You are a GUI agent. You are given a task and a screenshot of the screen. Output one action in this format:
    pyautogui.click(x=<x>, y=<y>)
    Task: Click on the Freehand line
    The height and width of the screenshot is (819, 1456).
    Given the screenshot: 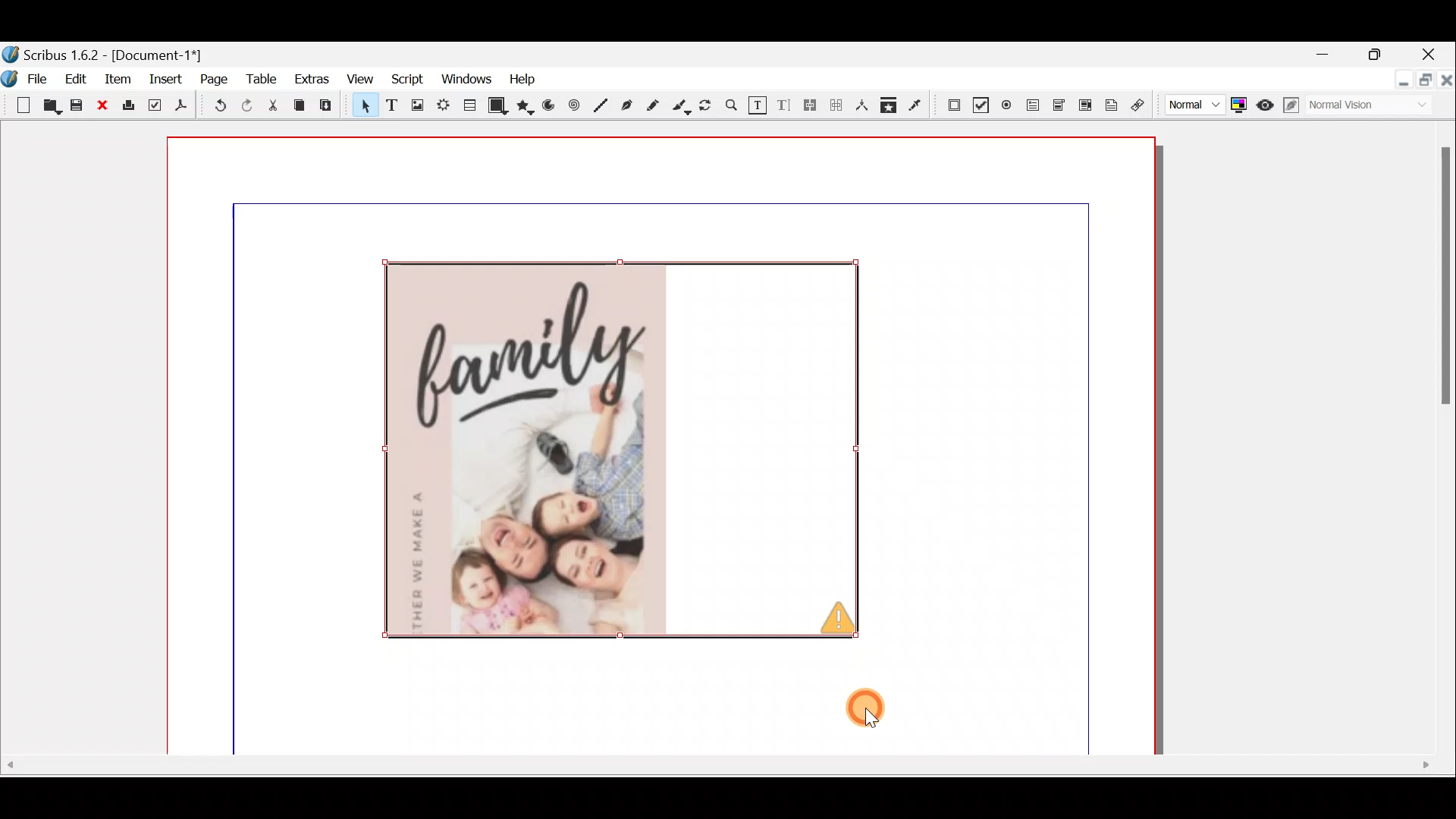 What is the action you would take?
    pyautogui.click(x=651, y=107)
    